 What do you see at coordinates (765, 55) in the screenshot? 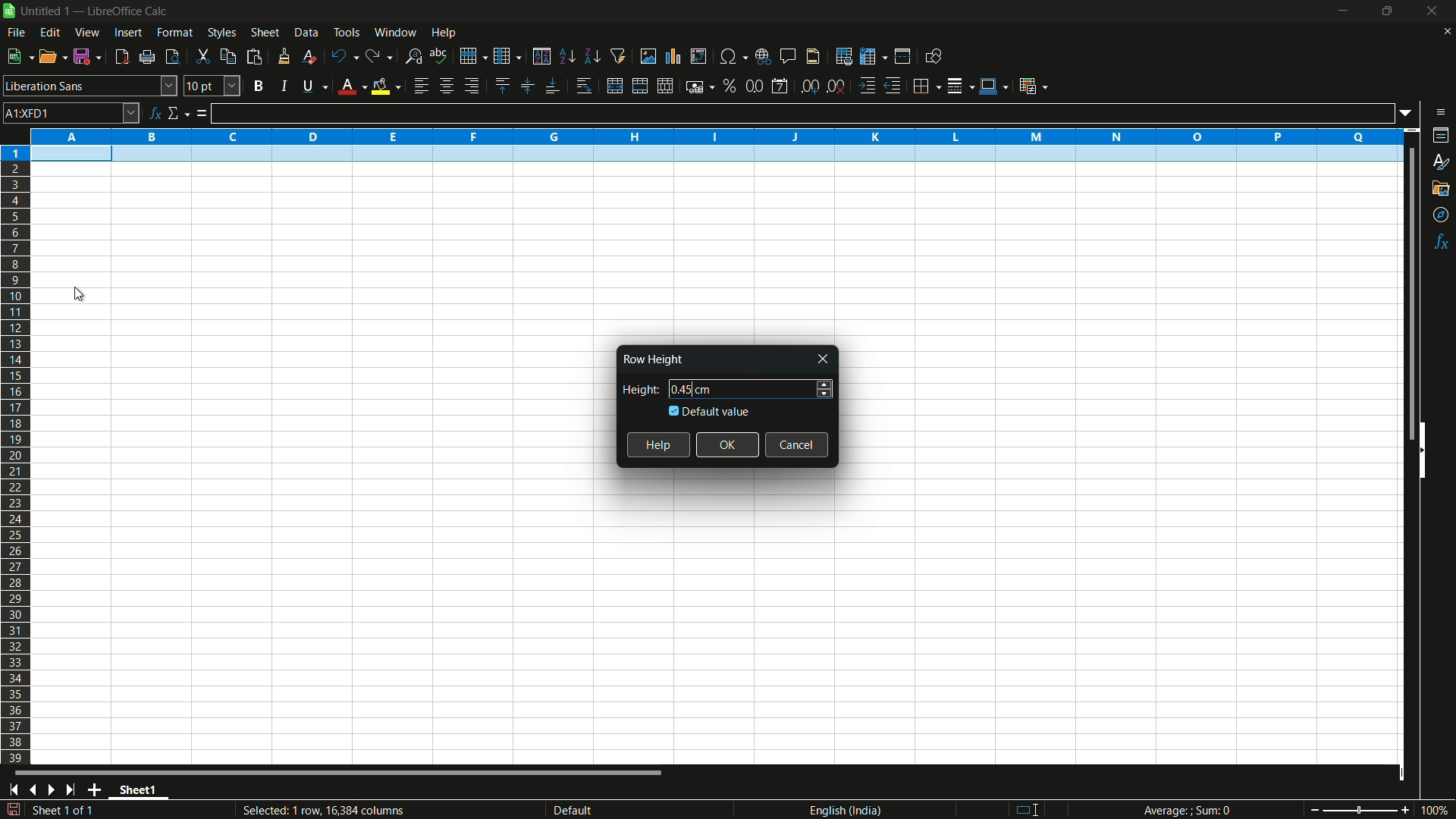
I see `insert hyperlink` at bounding box center [765, 55].